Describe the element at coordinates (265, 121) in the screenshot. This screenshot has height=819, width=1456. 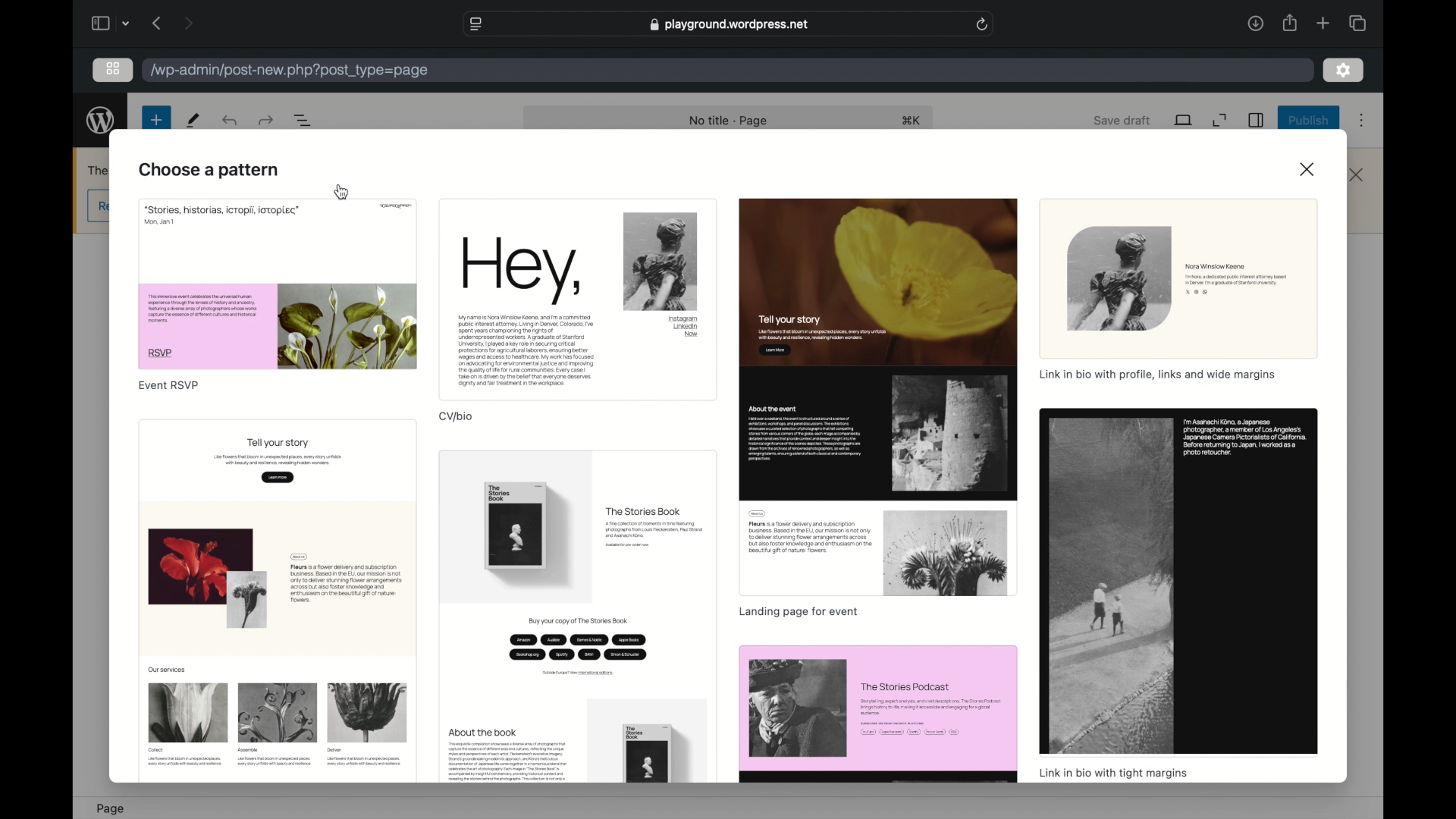
I see `undo` at that location.